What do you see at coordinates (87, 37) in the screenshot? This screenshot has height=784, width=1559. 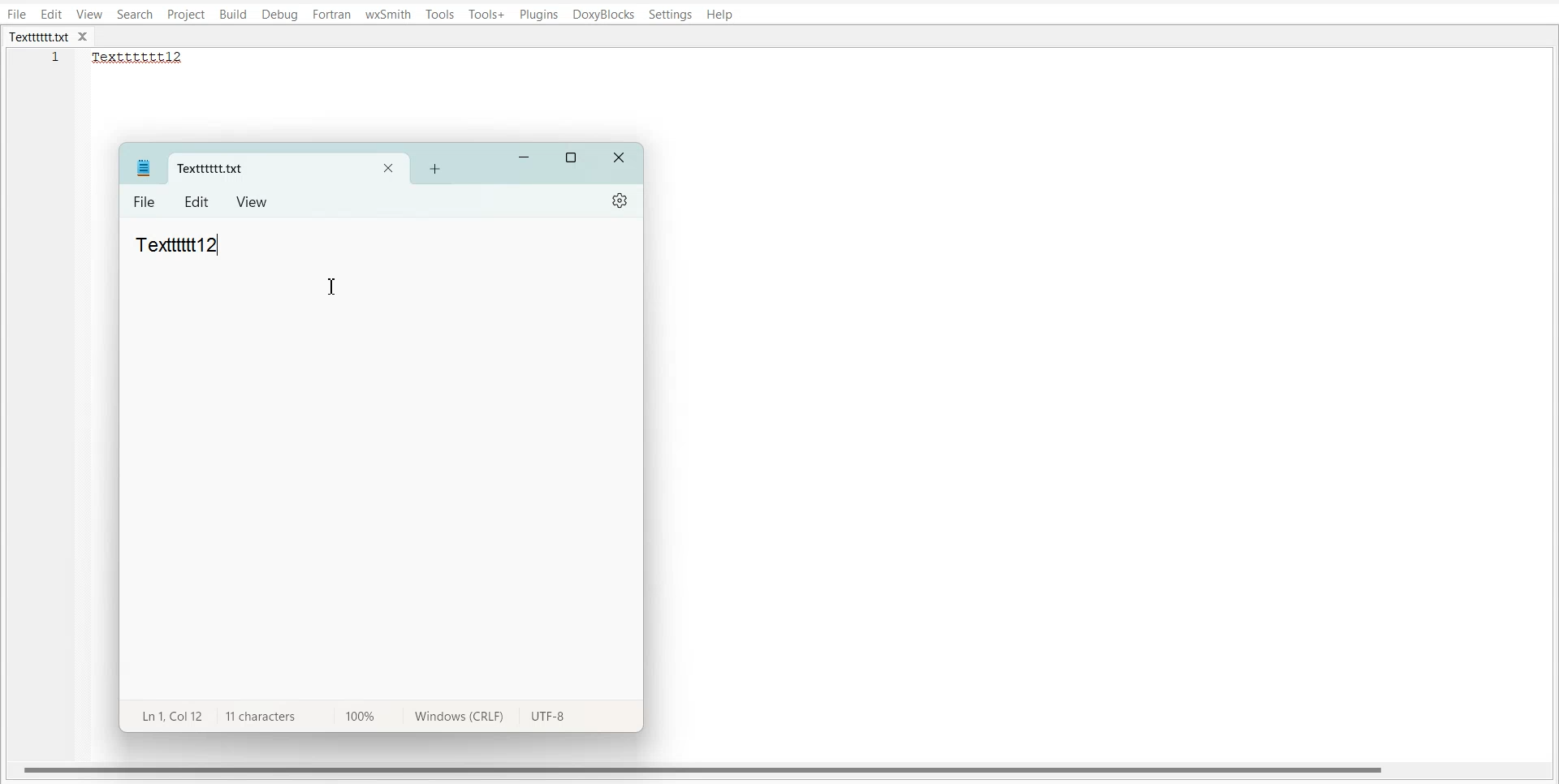 I see `close` at bounding box center [87, 37].